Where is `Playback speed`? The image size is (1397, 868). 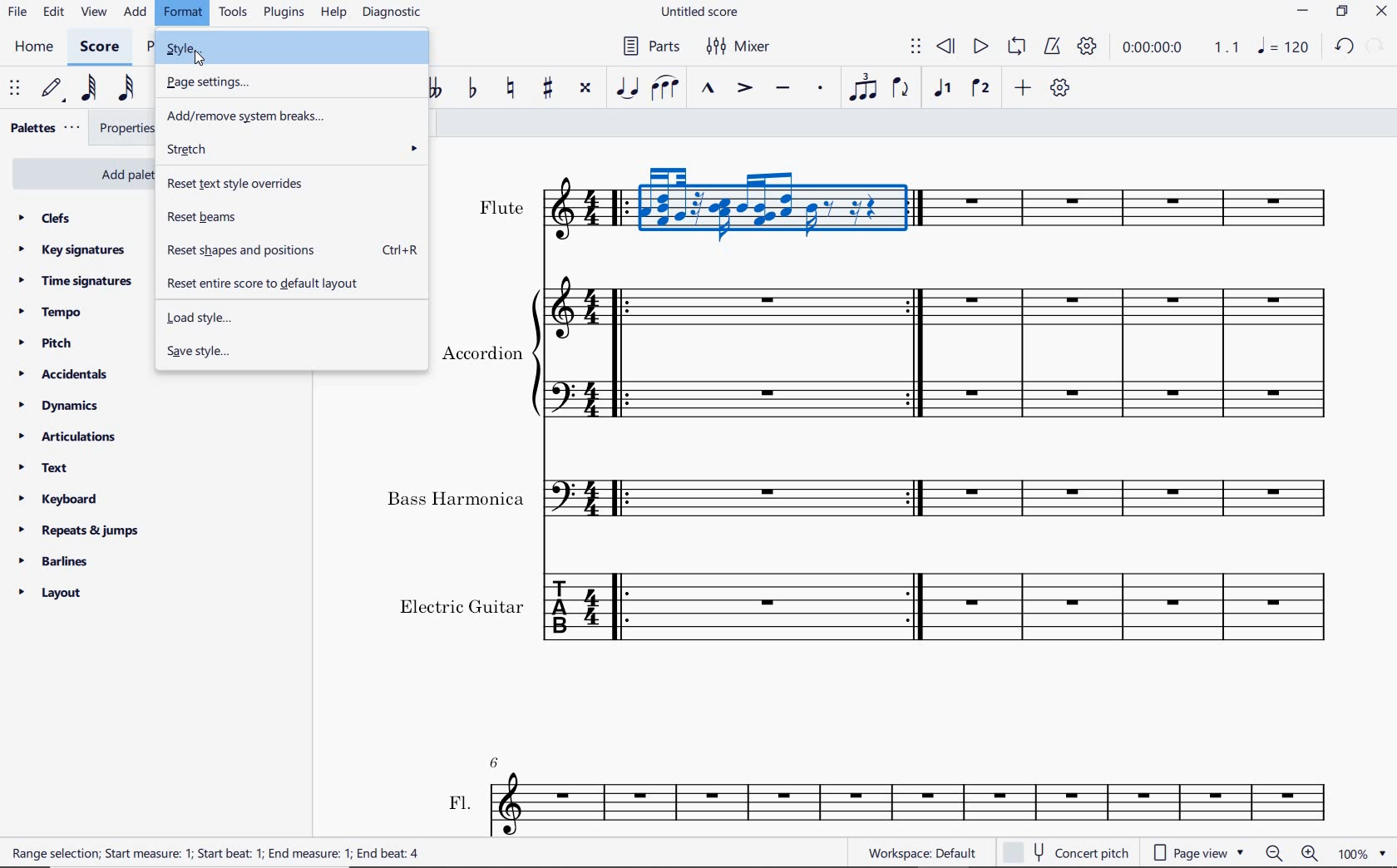 Playback speed is located at coordinates (1228, 47).